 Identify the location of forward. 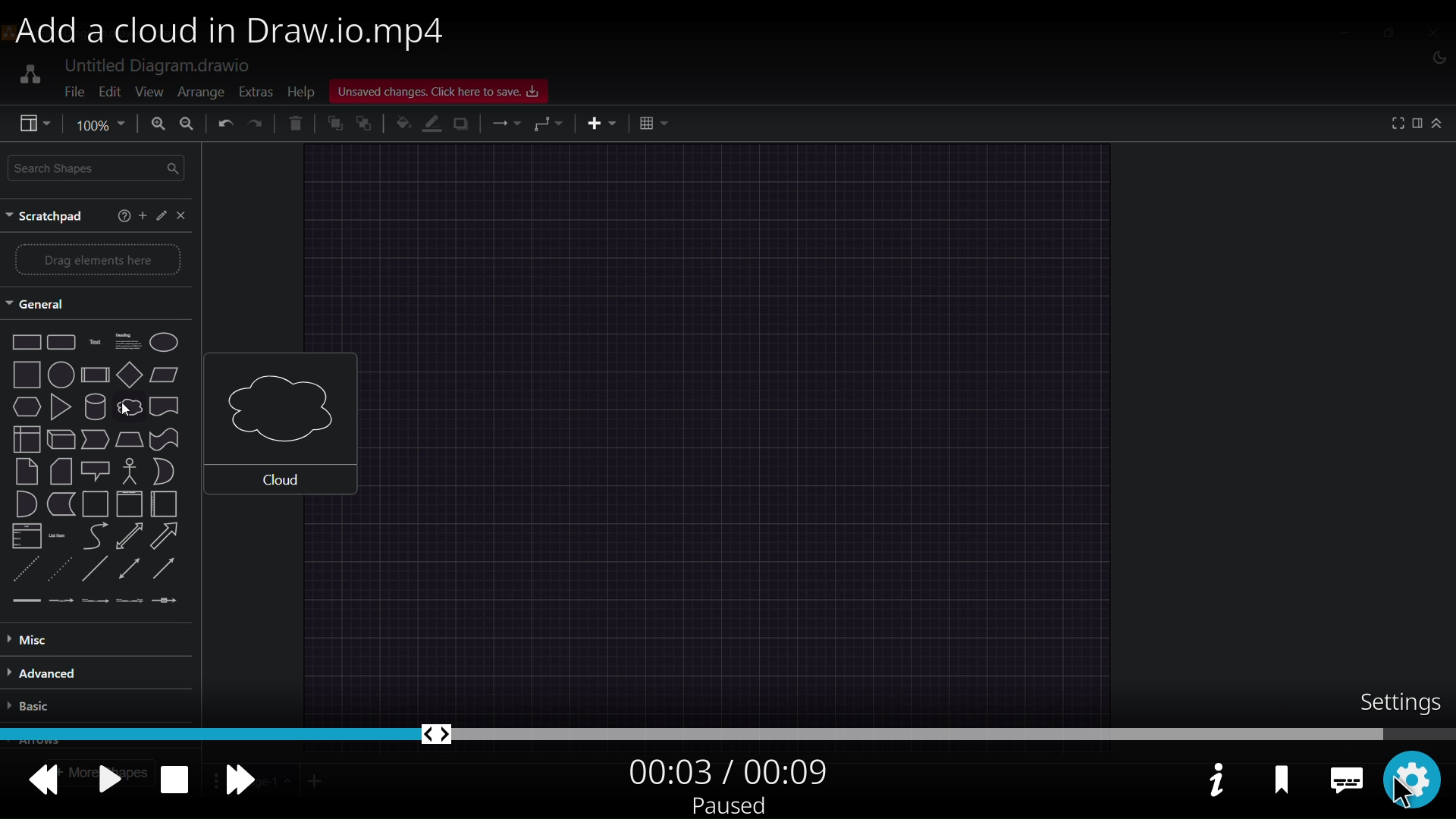
(243, 777).